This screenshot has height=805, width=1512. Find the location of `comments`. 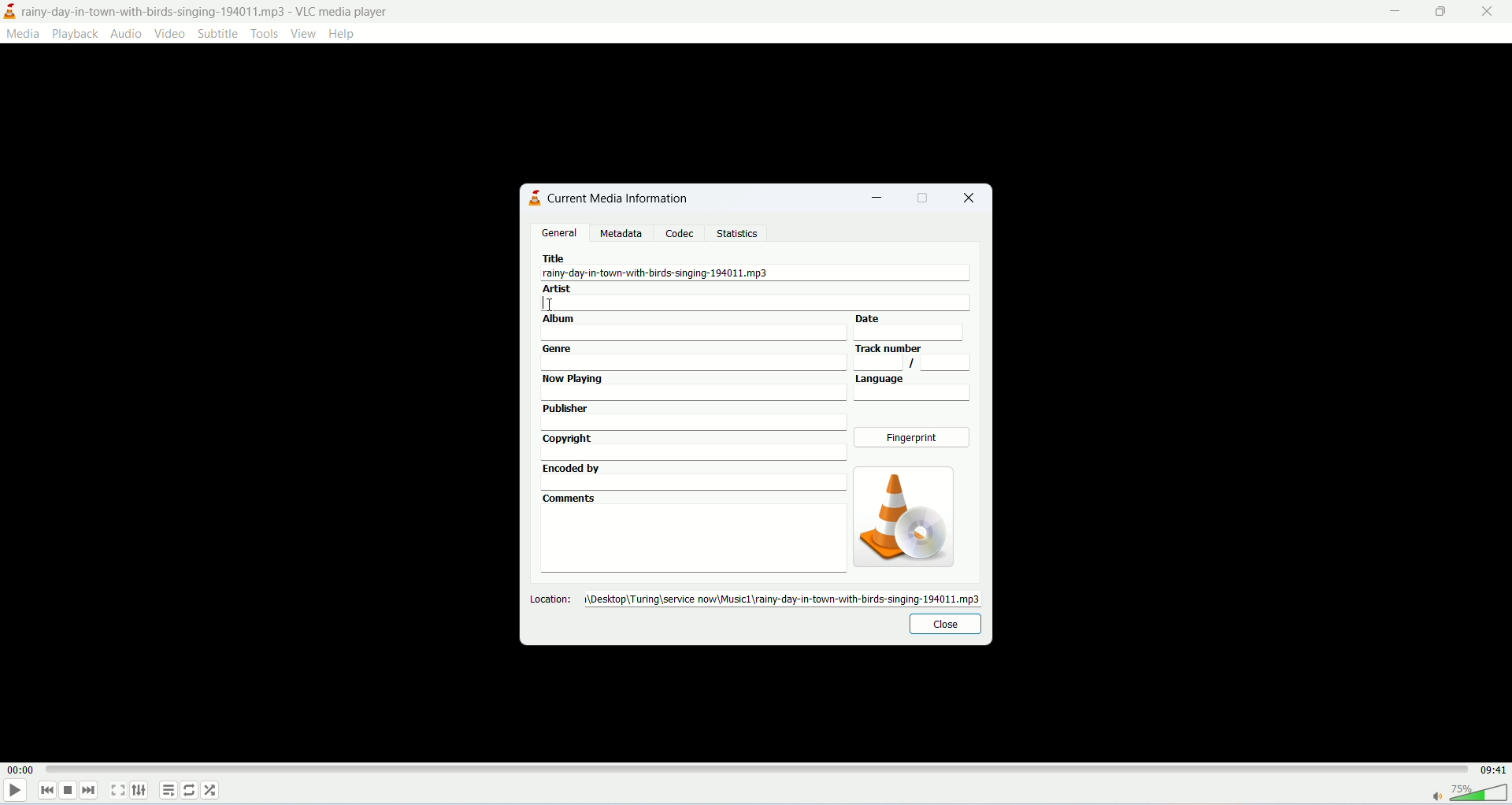

comments is located at coordinates (691, 532).